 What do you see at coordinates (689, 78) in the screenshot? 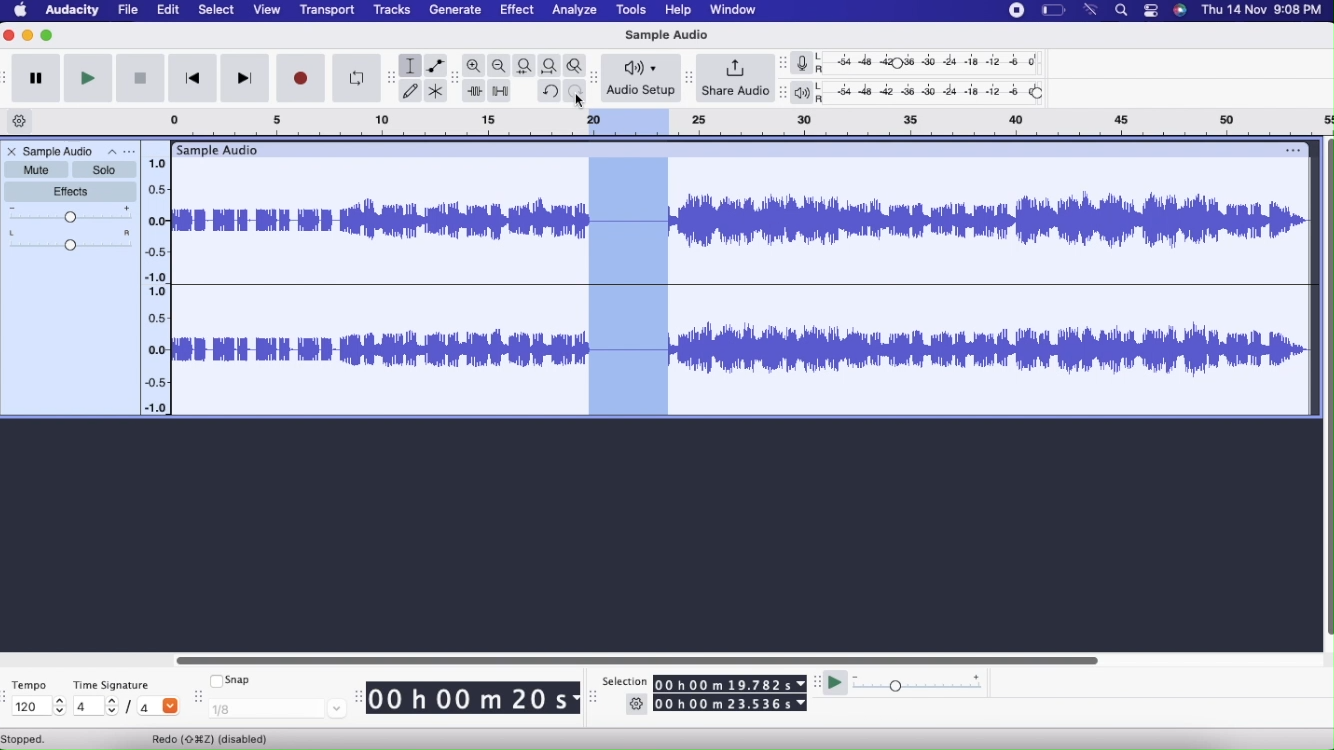
I see `move toolbar` at bounding box center [689, 78].